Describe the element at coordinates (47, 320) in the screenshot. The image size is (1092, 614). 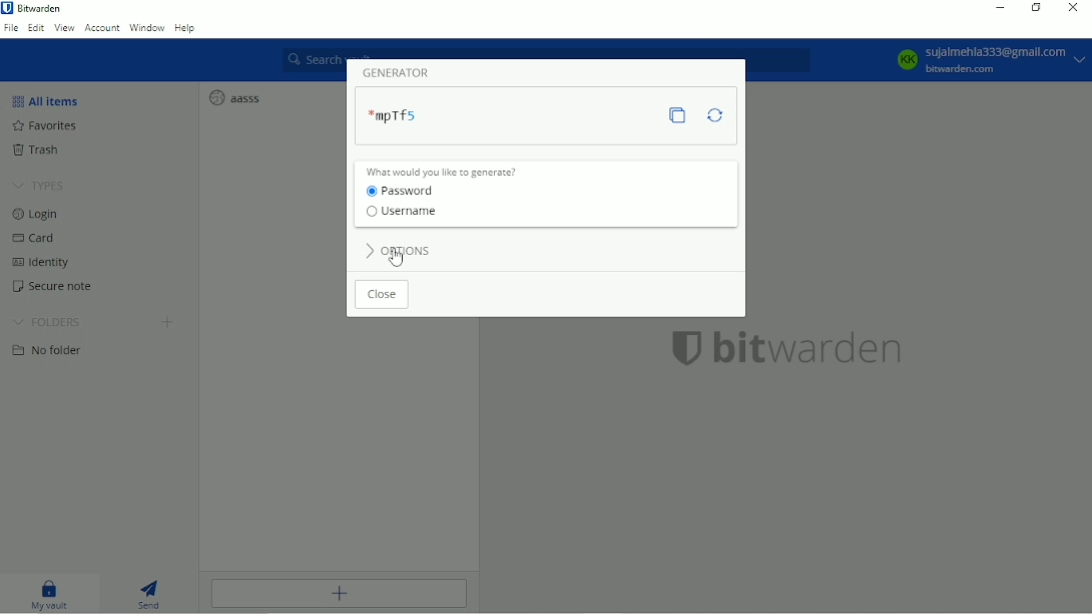
I see `Folders` at that location.